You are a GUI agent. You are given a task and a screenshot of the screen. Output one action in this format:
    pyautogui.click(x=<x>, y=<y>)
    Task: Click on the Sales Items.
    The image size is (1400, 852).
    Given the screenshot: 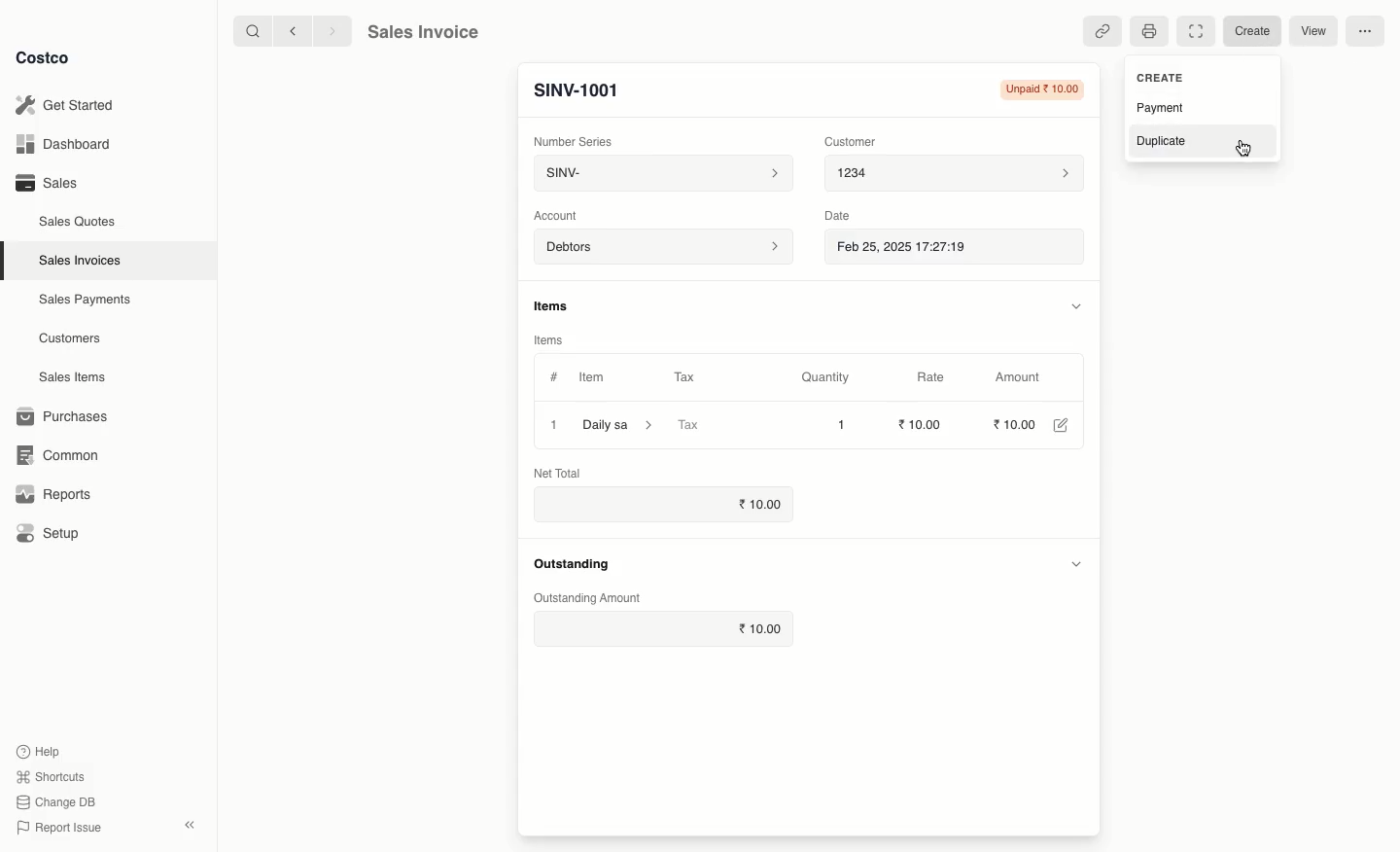 What is the action you would take?
    pyautogui.click(x=69, y=378)
    